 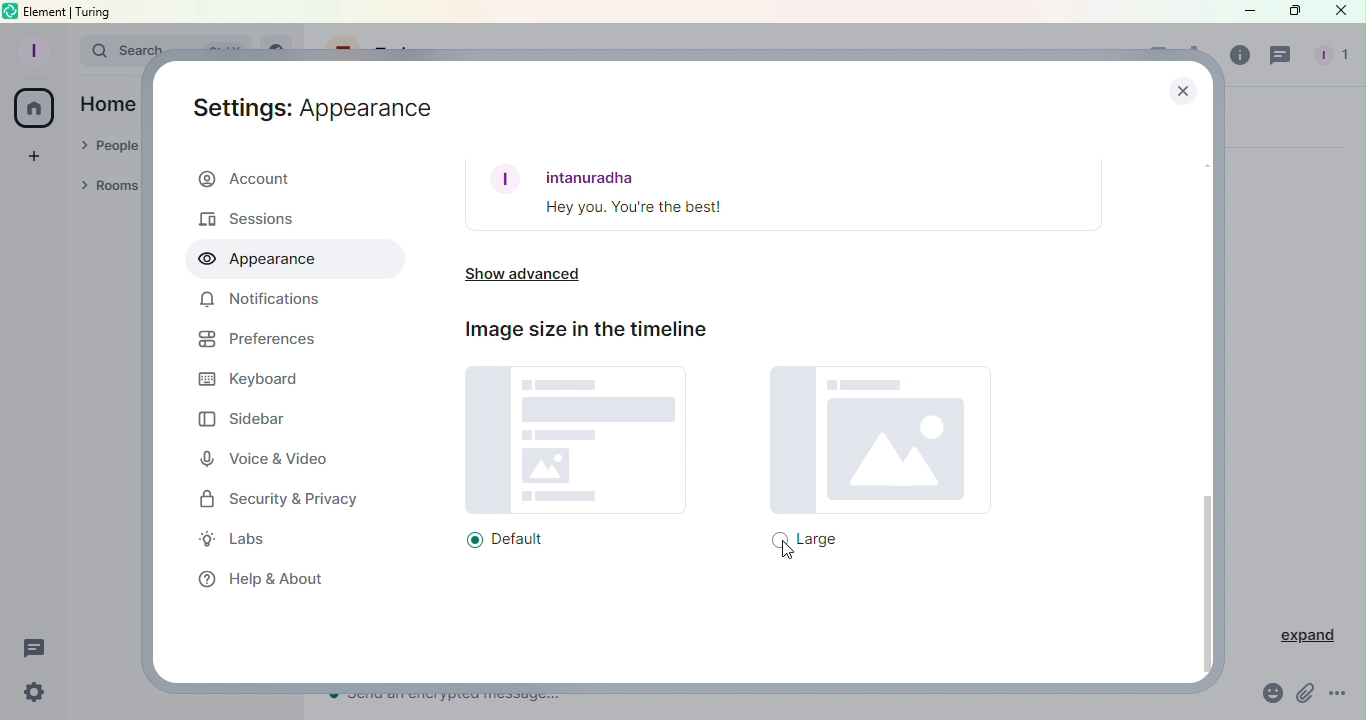 What do you see at coordinates (271, 460) in the screenshot?
I see `Voice and video` at bounding box center [271, 460].